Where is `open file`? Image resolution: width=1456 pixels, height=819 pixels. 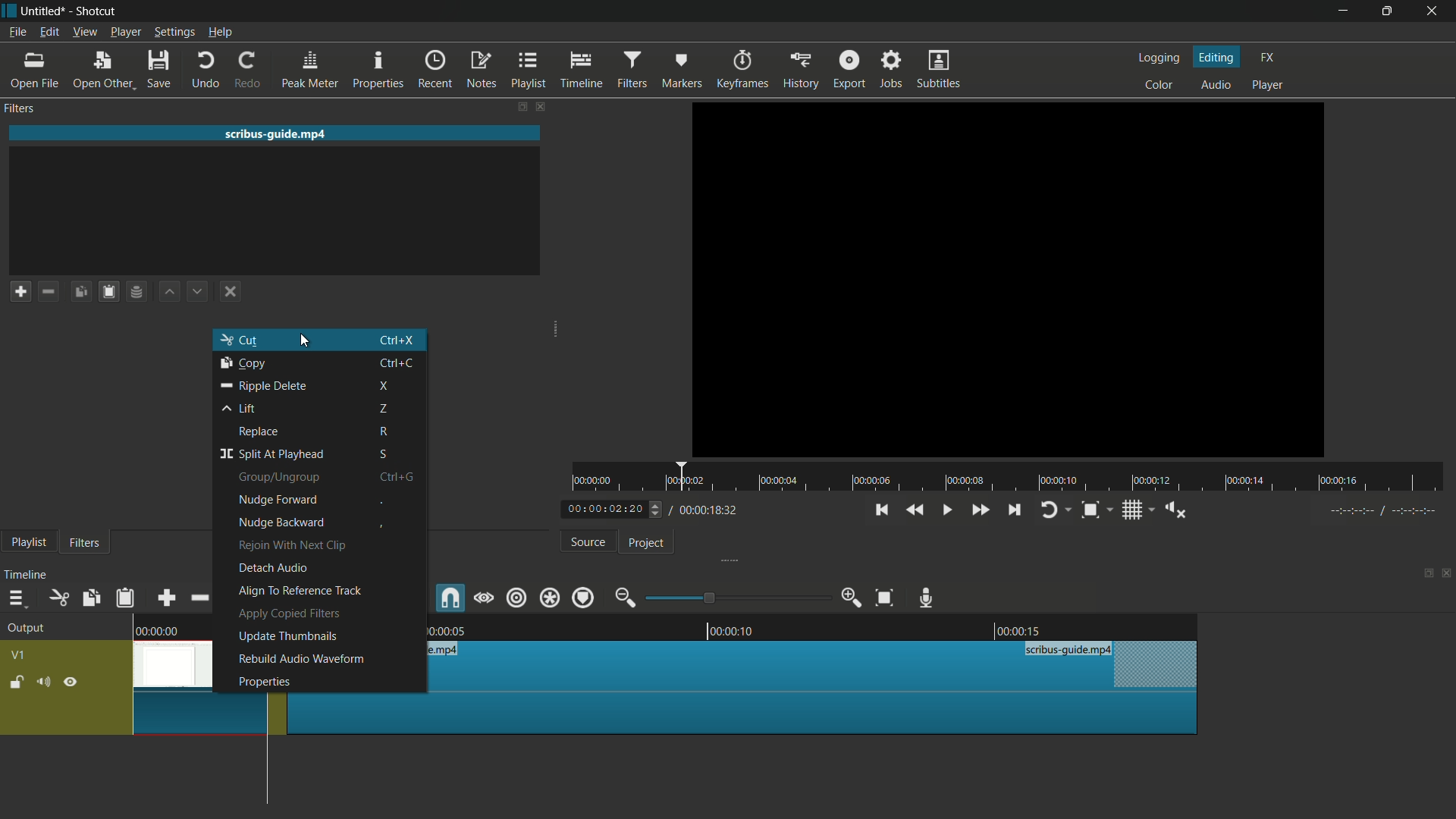
open file is located at coordinates (31, 69).